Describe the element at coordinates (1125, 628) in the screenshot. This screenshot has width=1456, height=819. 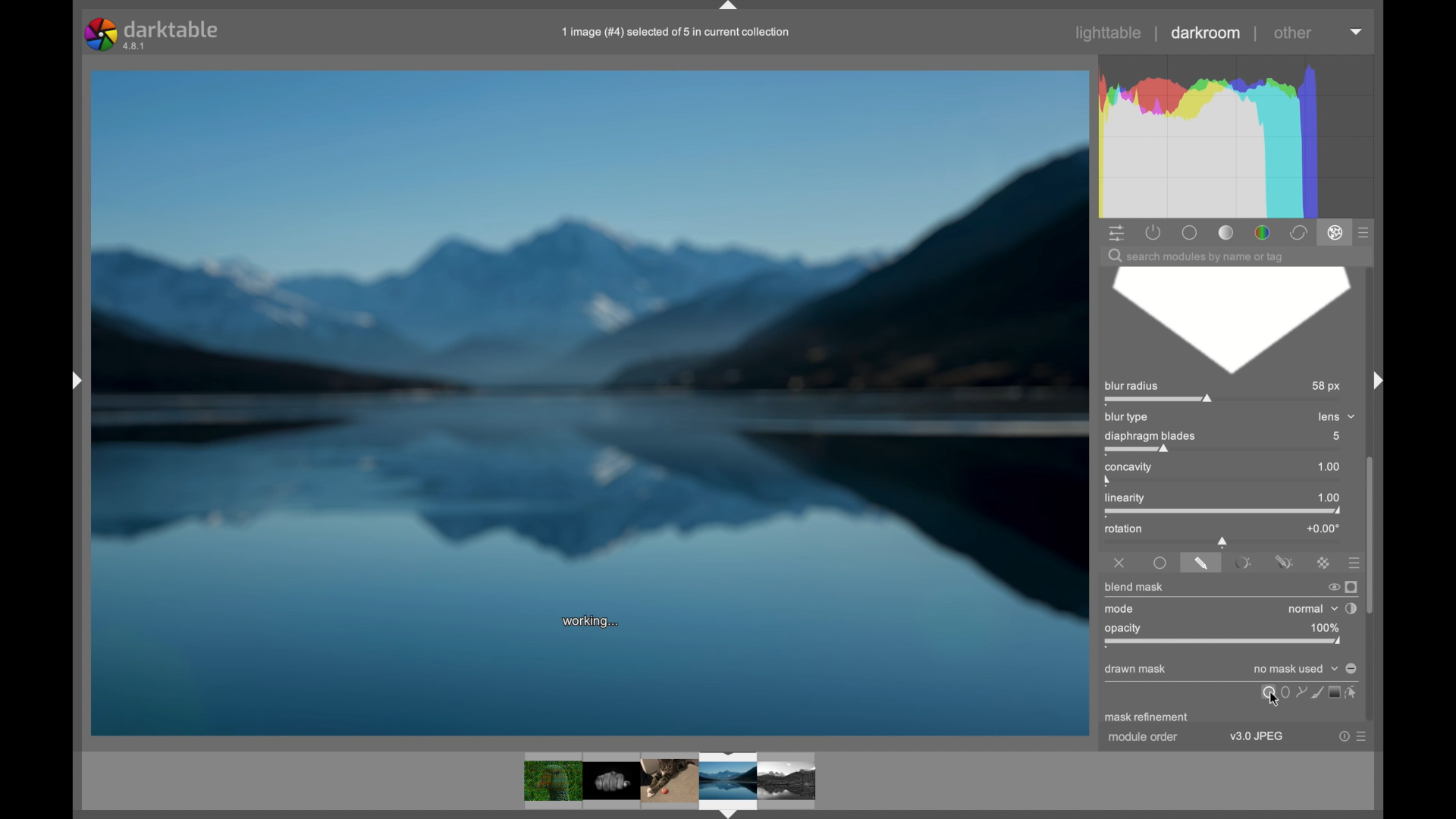
I see `opacity` at that location.